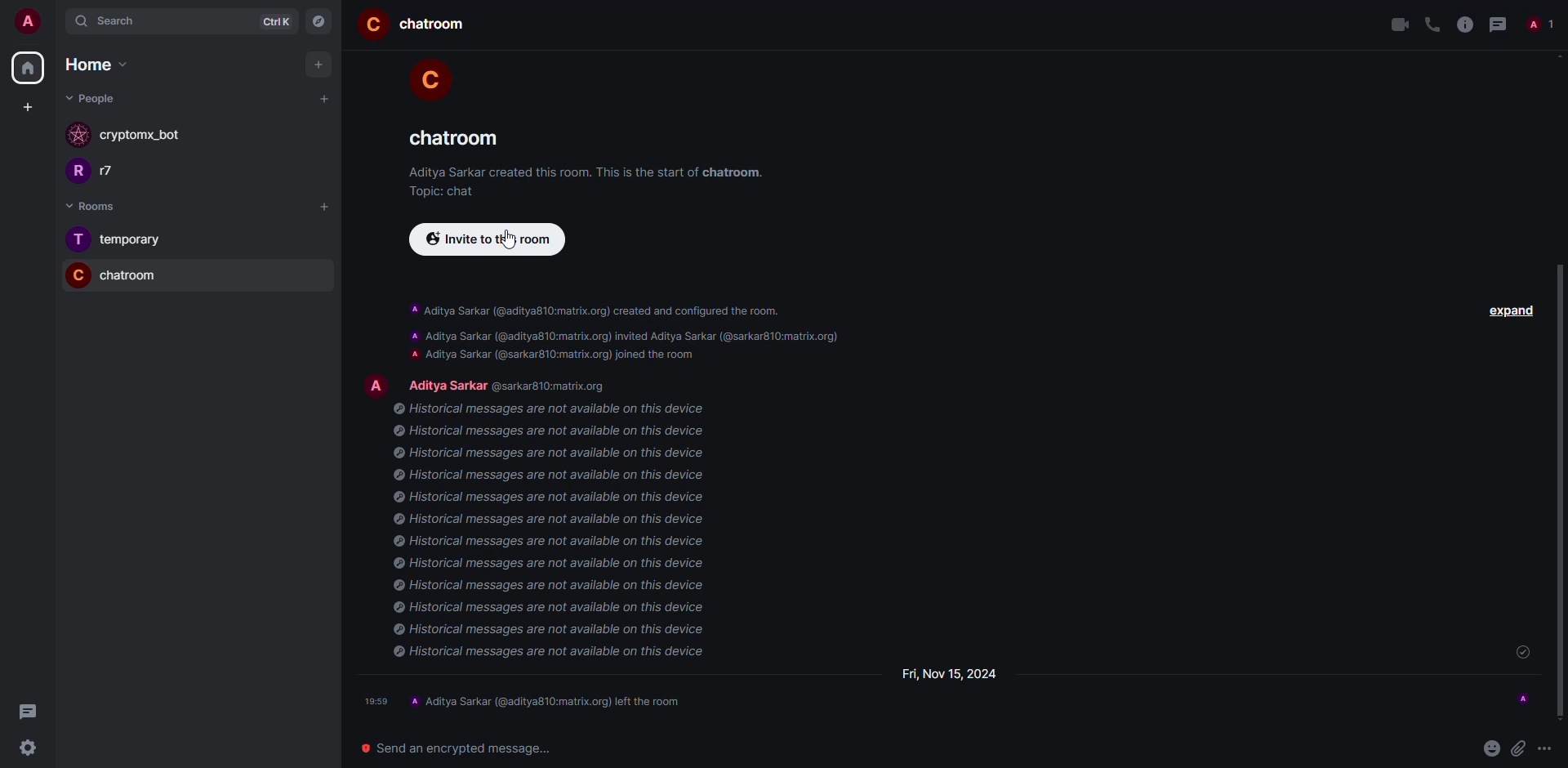  I want to click on people, so click(448, 382).